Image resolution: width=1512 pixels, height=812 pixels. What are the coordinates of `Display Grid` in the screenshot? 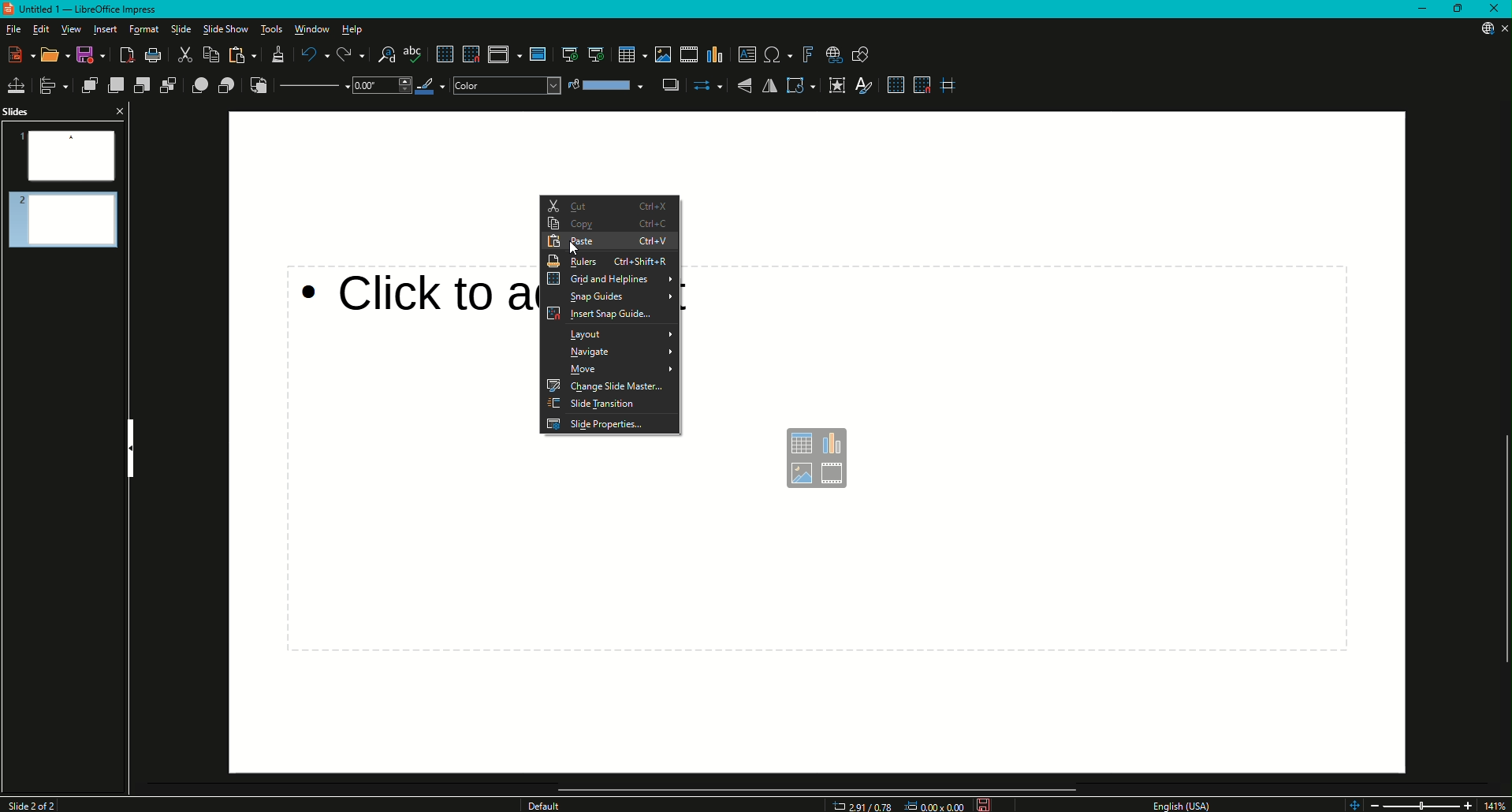 It's located at (440, 53).